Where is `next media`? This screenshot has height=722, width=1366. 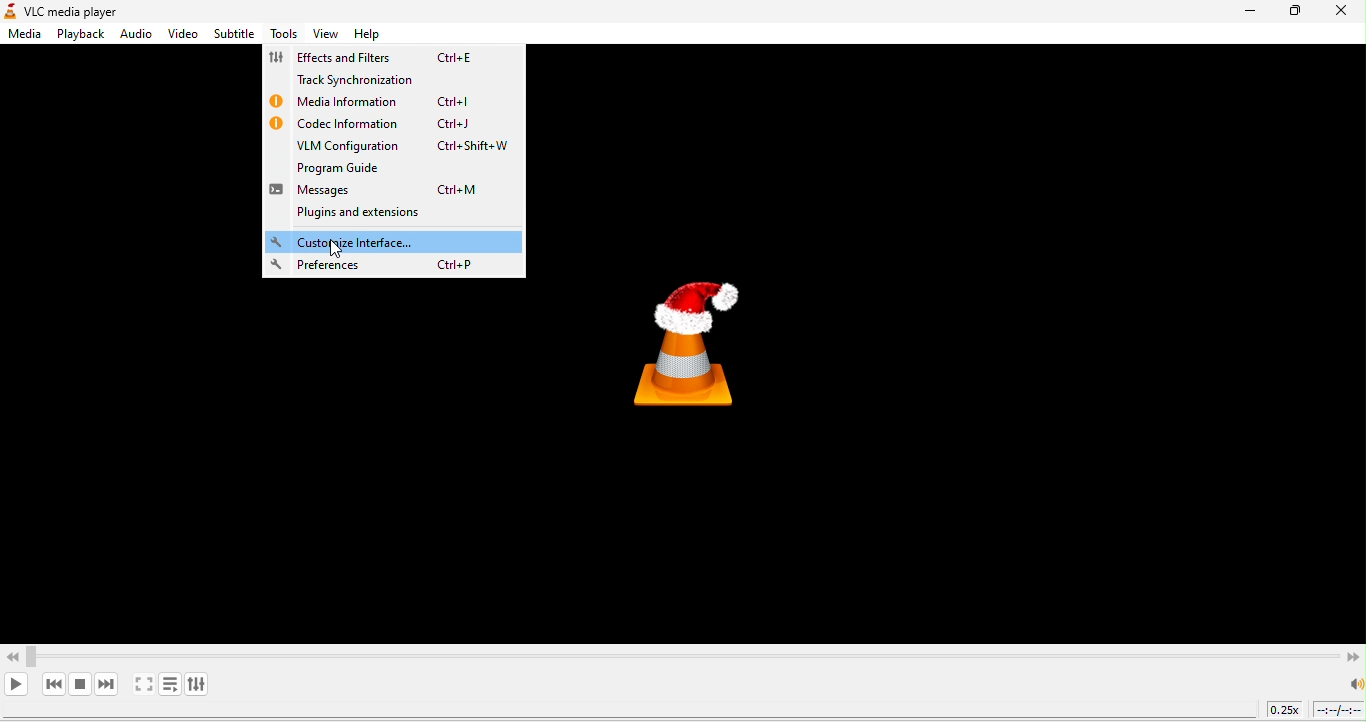 next media is located at coordinates (109, 684).